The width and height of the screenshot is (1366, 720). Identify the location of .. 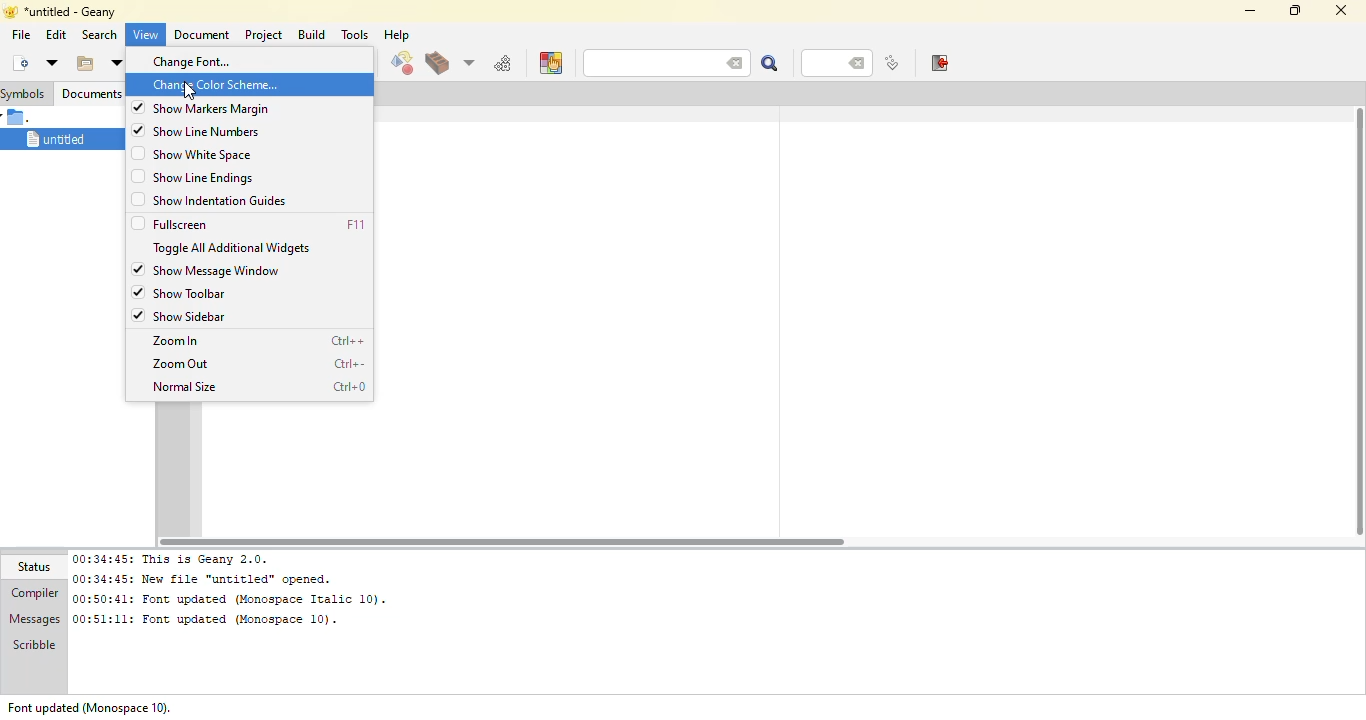
(22, 117).